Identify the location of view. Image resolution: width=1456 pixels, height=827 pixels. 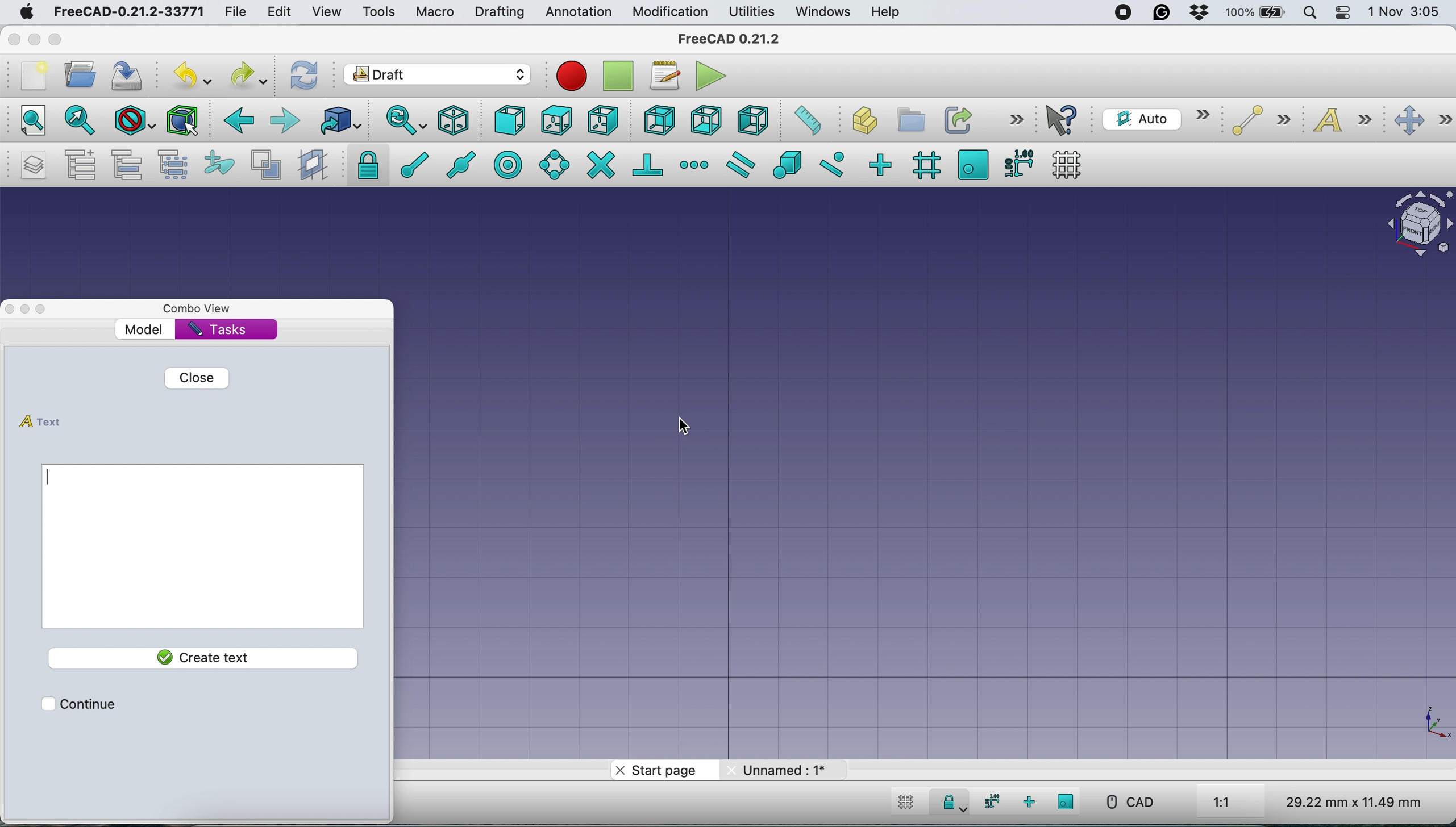
(326, 11).